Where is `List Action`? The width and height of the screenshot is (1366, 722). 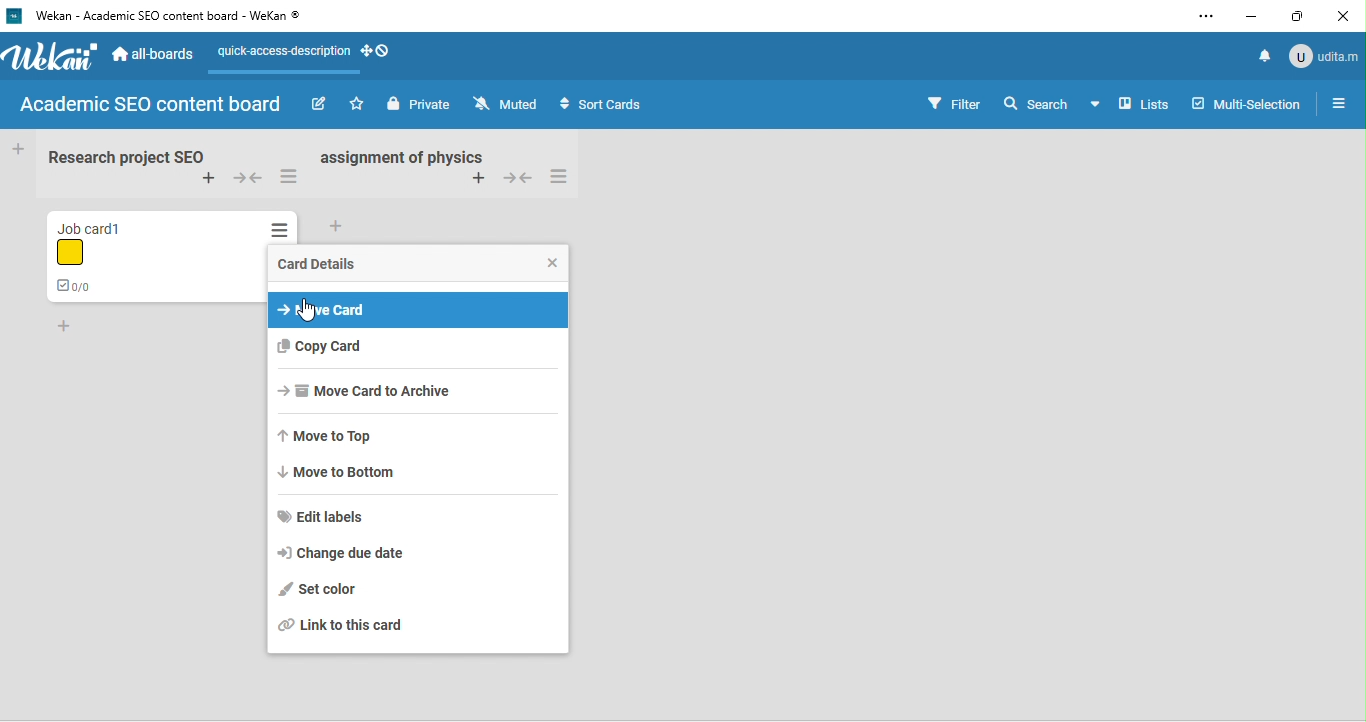
List Action is located at coordinates (281, 231).